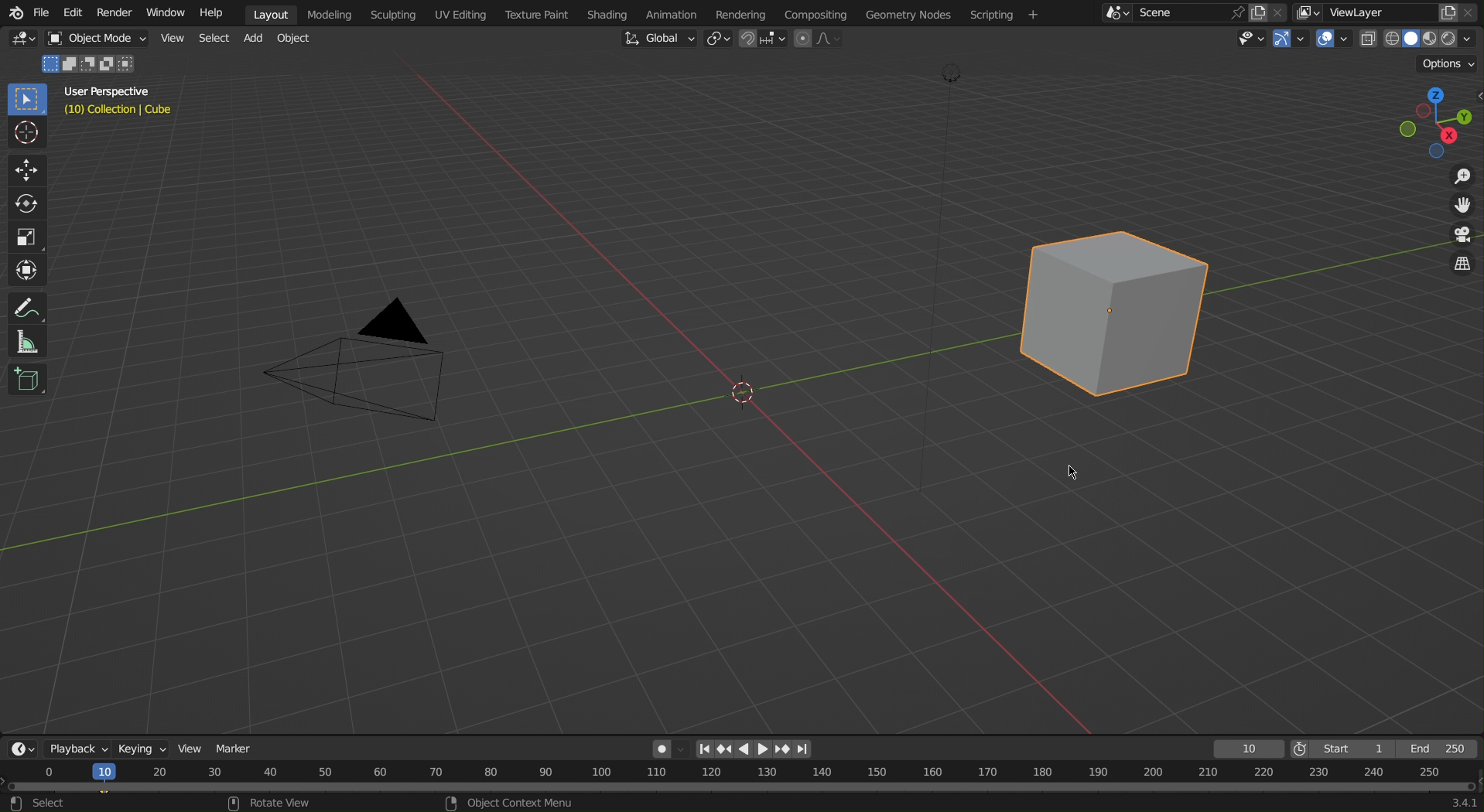 The height and width of the screenshot is (812, 1484). Describe the element at coordinates (174, 39) in the screenshot. I see `View` at that location.